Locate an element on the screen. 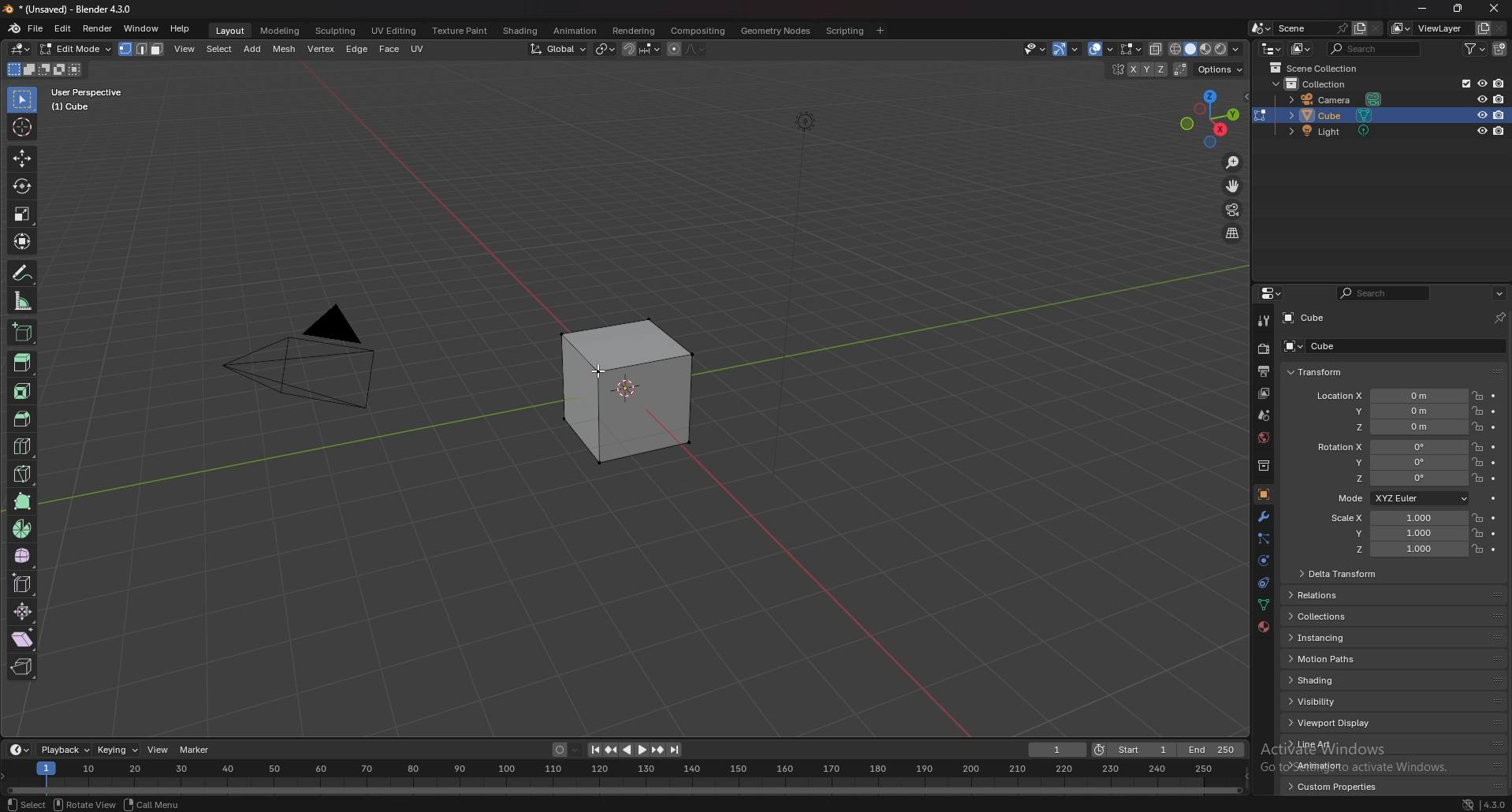 The height and width of the screenshot is (812, 1512). animate property is located at coordinates (1495, 447).